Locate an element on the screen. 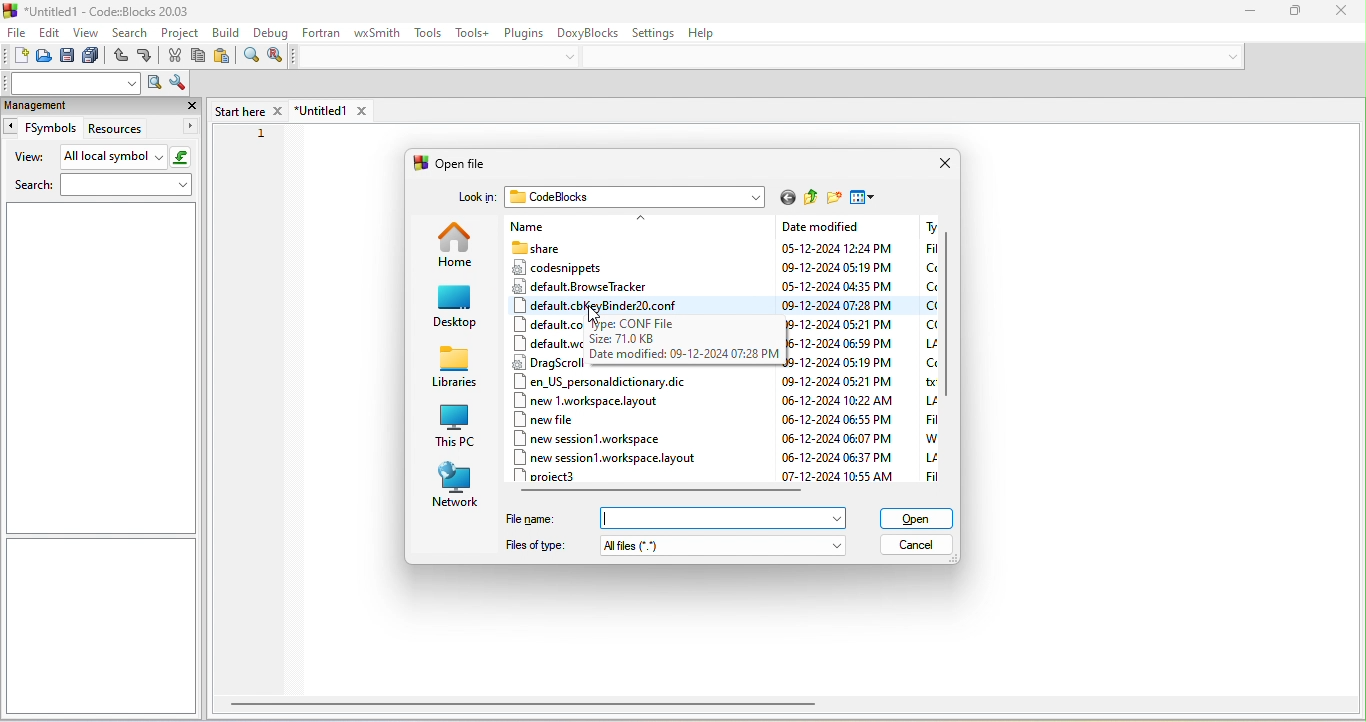 The height and width of the screenshot is (722, 1366). fortran is located at coordinates (324, 35).